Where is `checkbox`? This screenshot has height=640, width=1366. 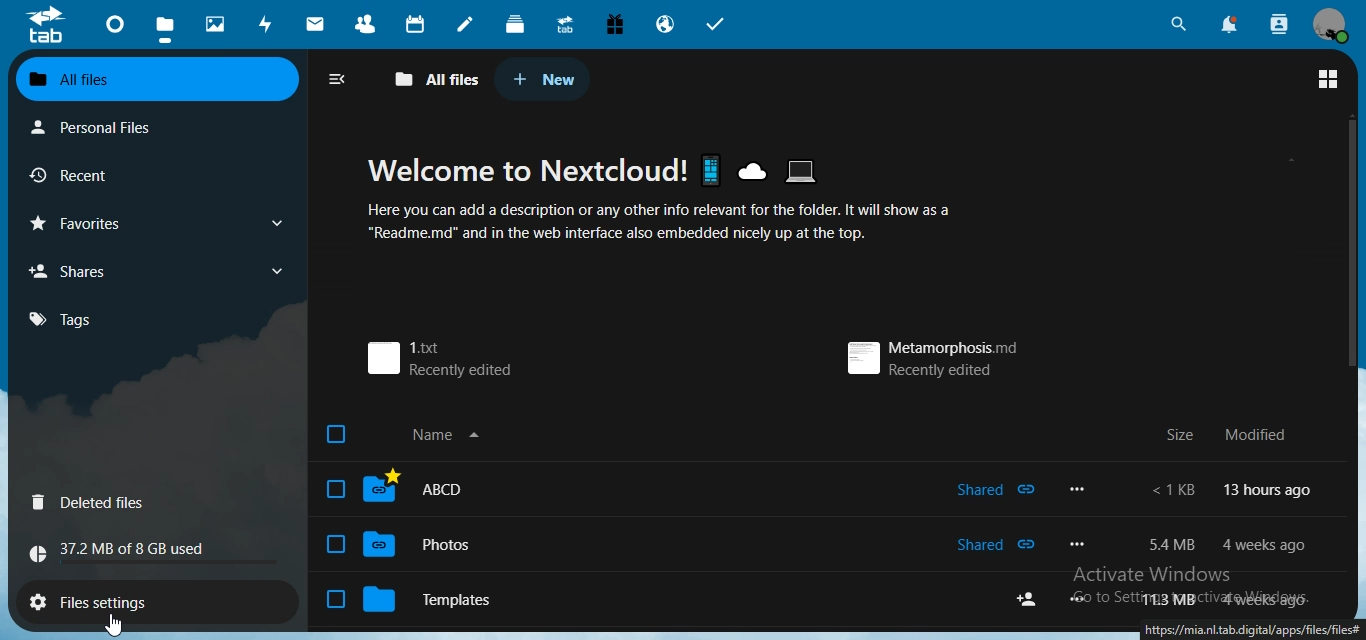 checkbox is located at coordinates (336, 544).